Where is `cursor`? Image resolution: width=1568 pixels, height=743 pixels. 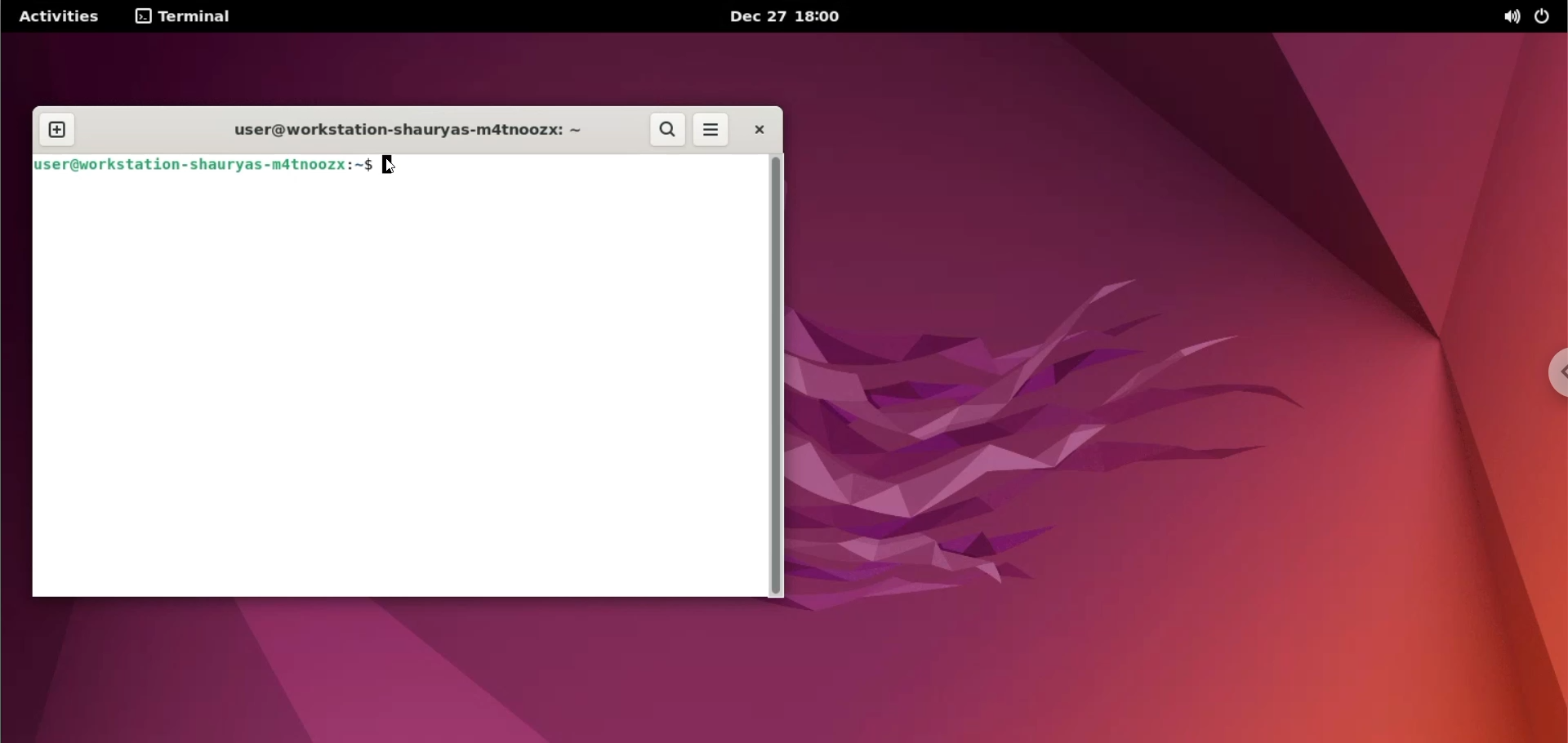 cursor is located at coordinates (394, 166).